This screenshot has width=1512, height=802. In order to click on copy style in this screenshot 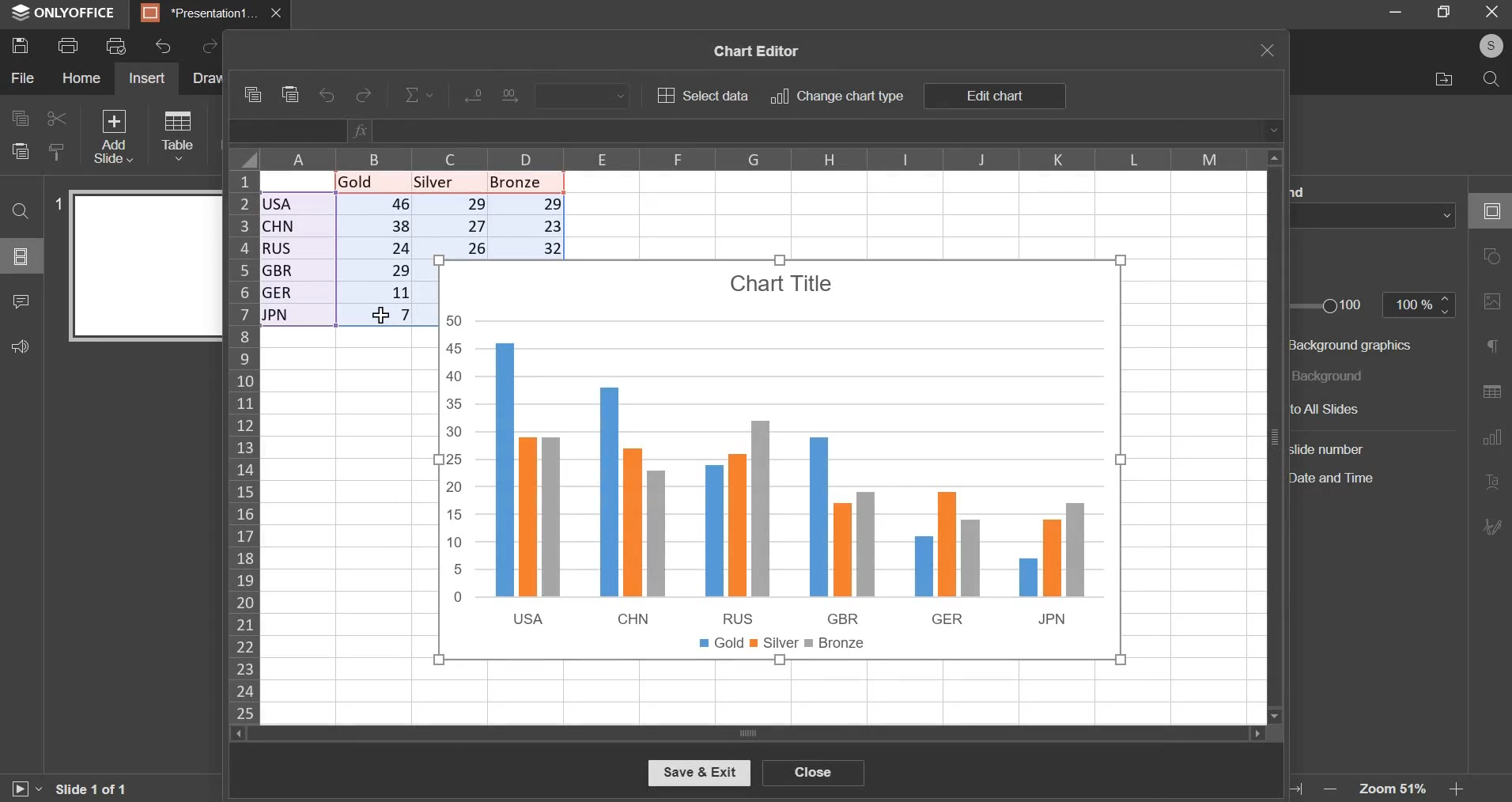, I will do `click(57, 150)`.